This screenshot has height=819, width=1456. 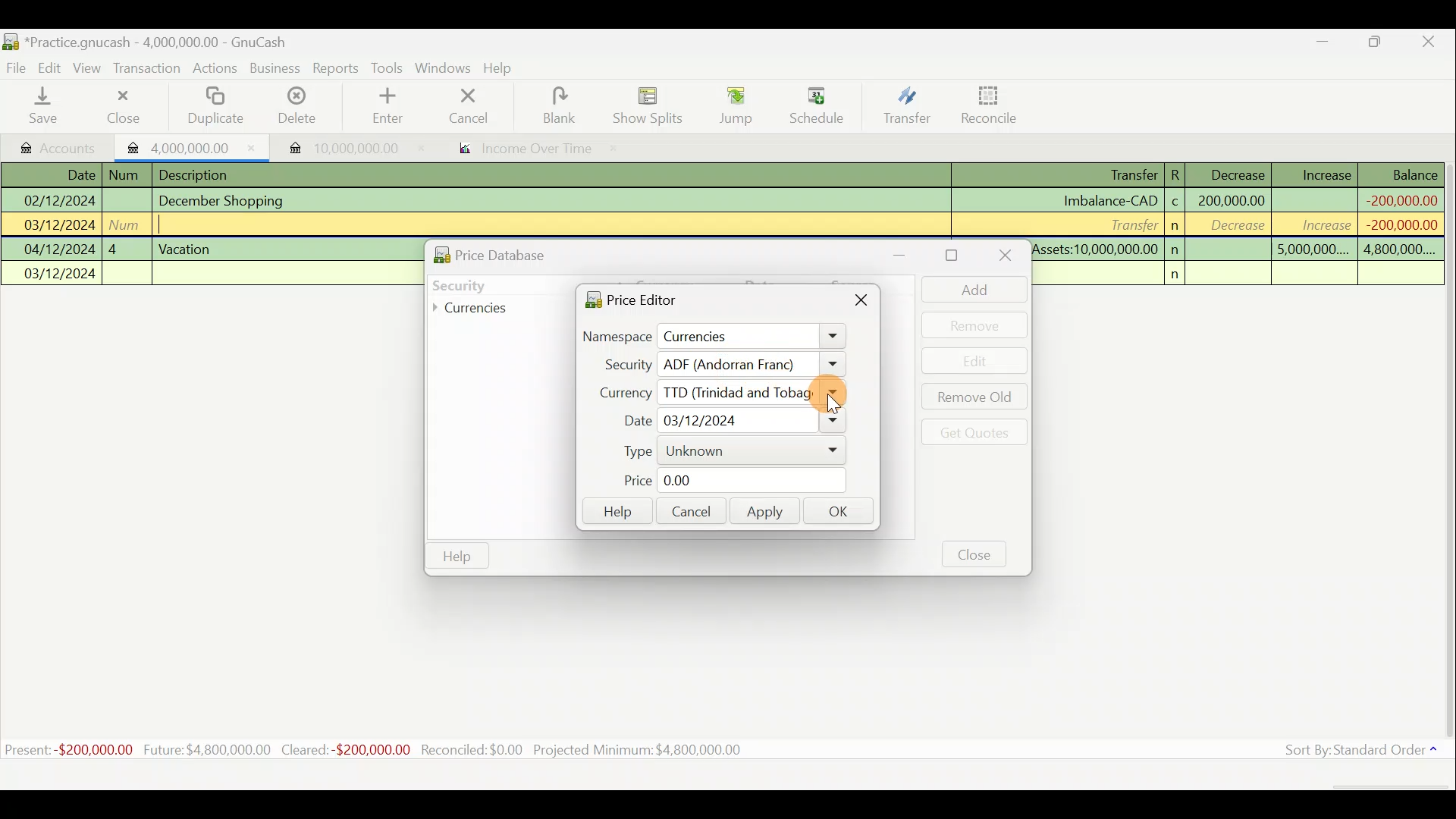 What do you see at coordinates (1313, 252) in the screenshot?
I see `5,000,000` at bounding box center [1313, 252].